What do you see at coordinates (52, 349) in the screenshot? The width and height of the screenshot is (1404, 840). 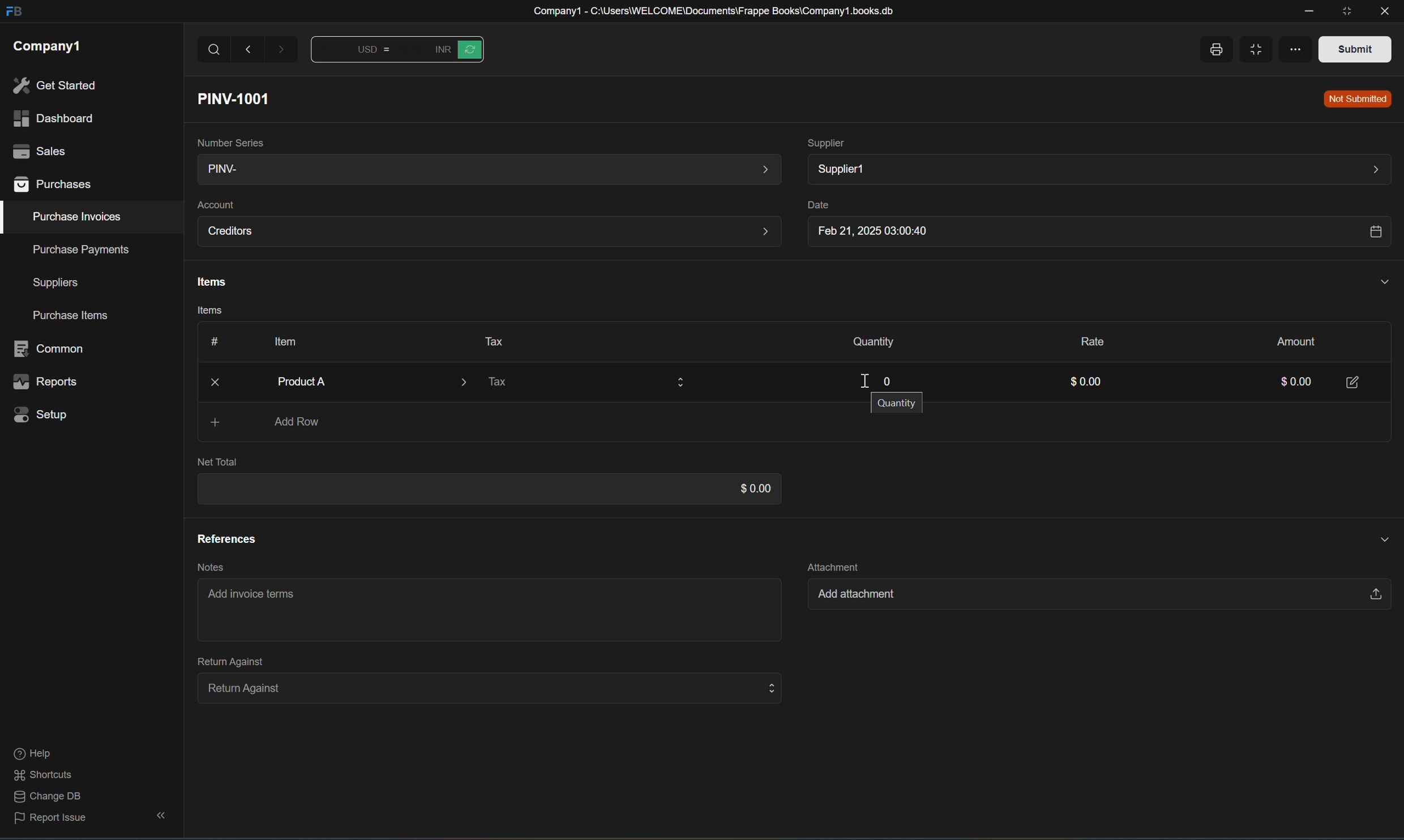 I see `common` at bounding box center [52, 349].